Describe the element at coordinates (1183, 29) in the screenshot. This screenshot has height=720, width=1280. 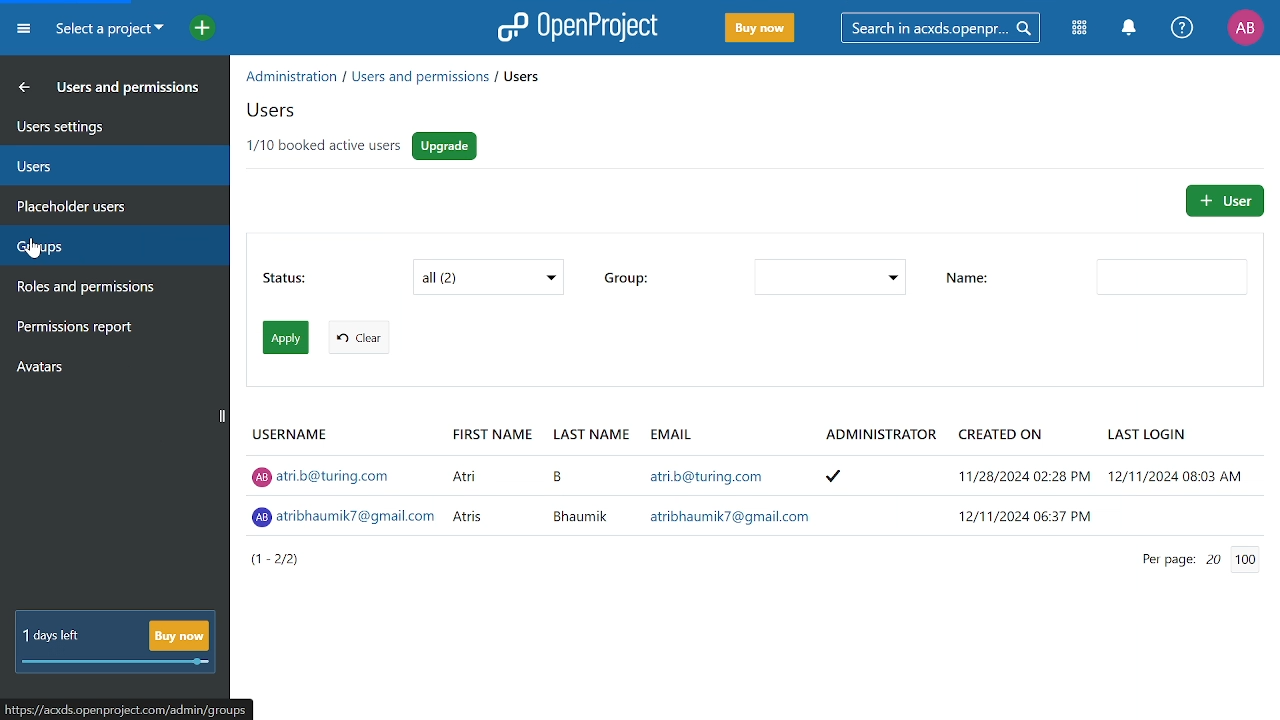
I see `Help` at that location.